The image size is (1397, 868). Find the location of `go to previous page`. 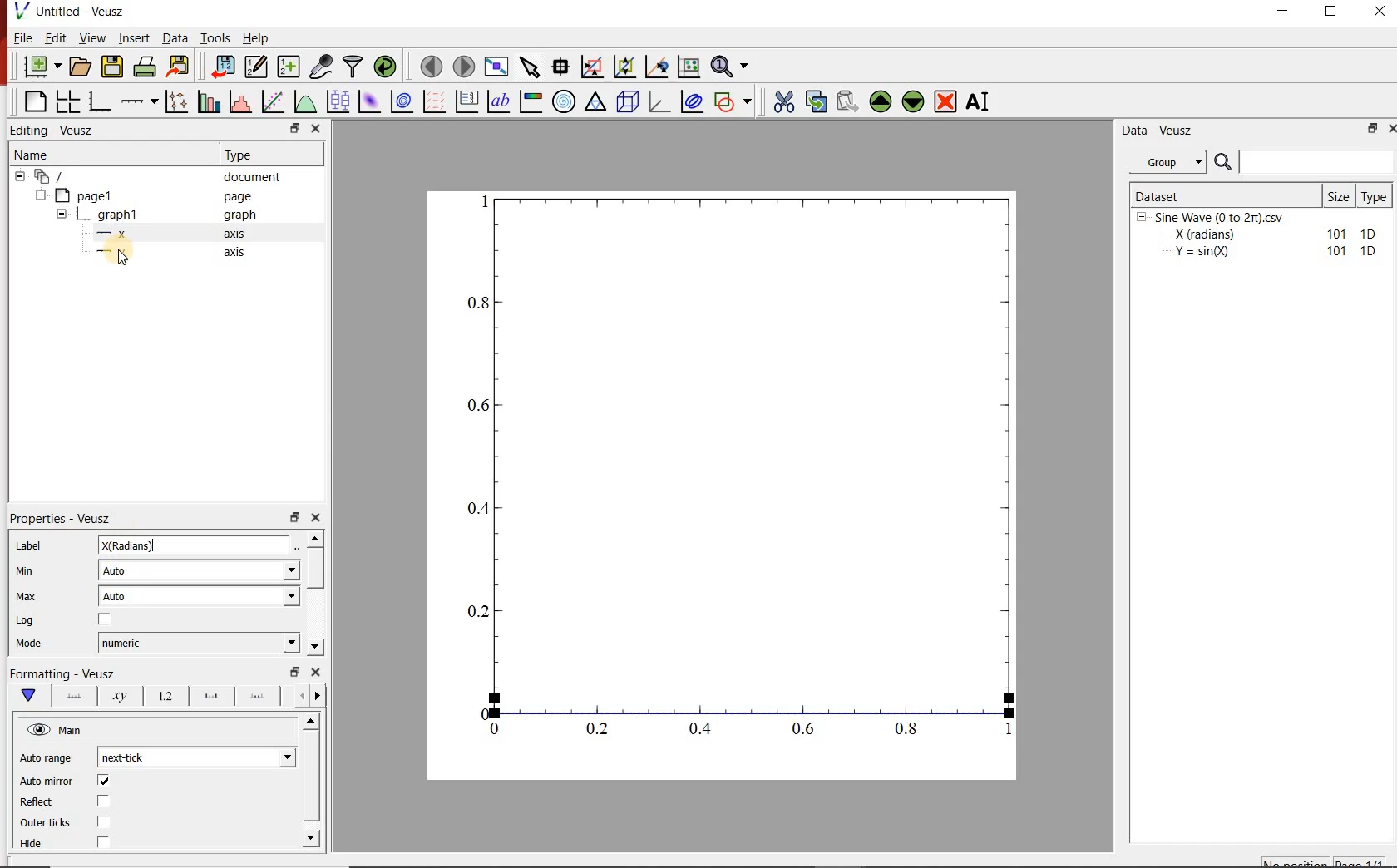

go to previous page is located at coordinates (431, 66).